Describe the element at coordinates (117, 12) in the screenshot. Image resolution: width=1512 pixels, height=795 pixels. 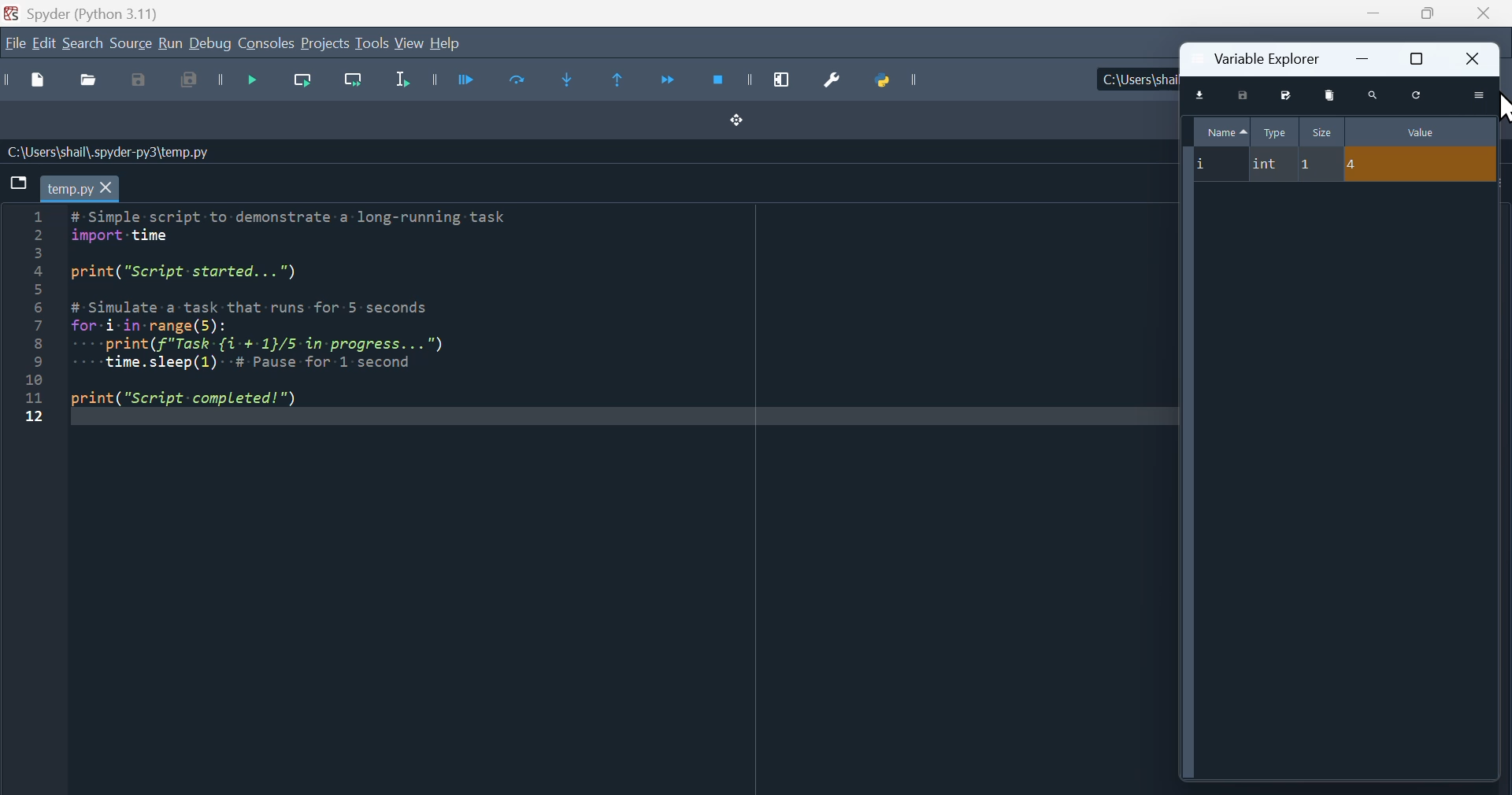
I see `Spyder` at that location.